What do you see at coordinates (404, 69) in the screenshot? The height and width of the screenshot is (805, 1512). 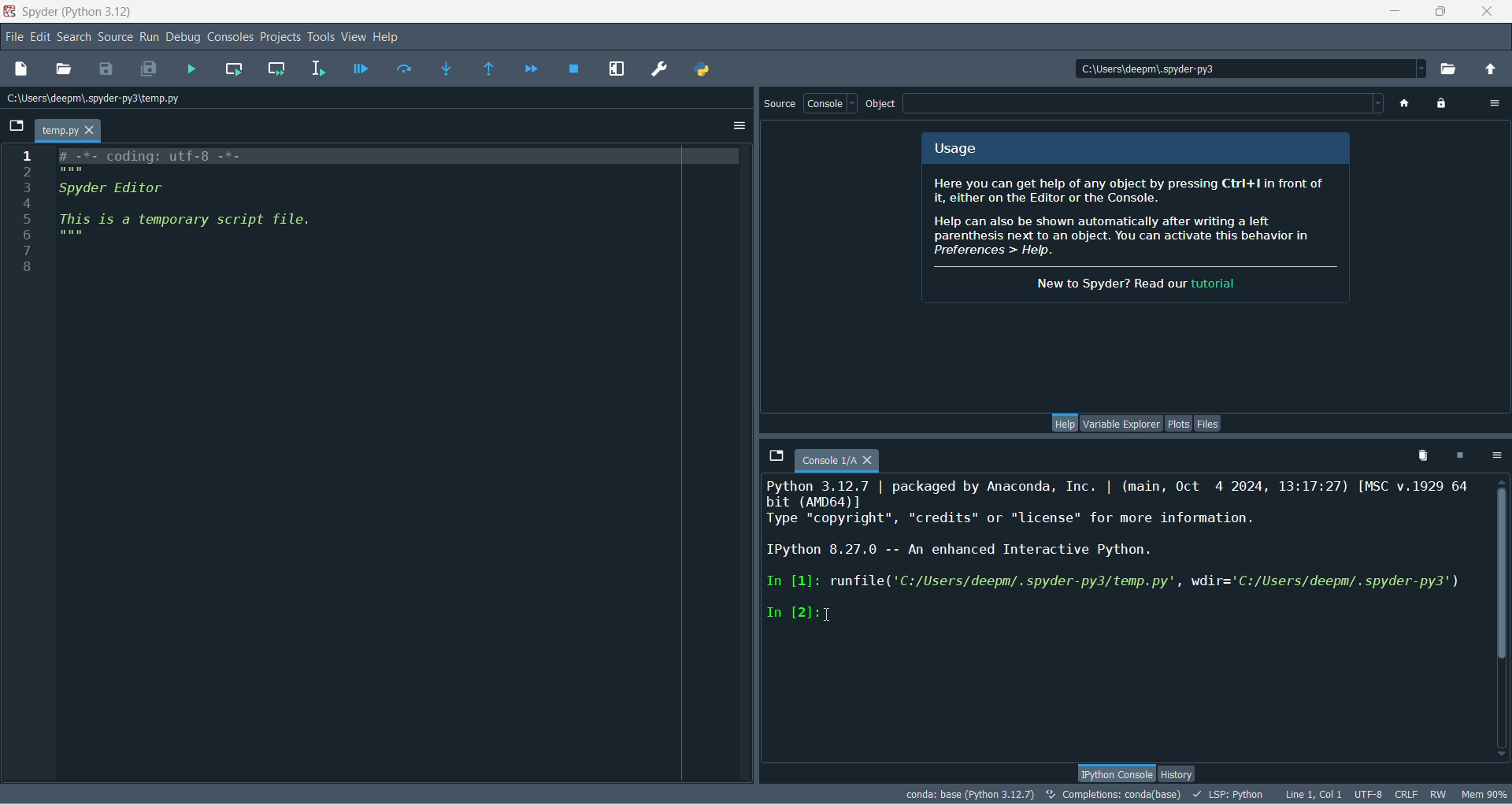 I see `run current line` at bounding box center [404, 69].